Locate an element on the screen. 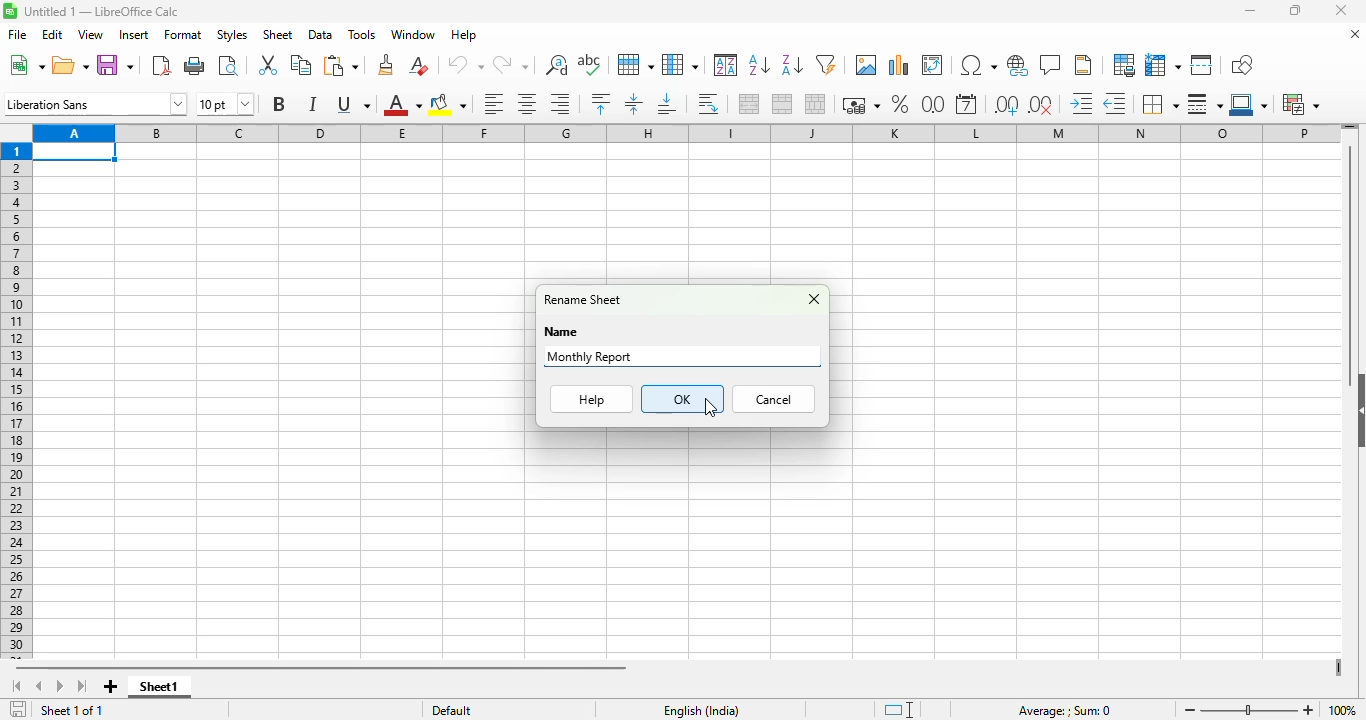 The width and height of the screenshot is (1366, 720). border color is located at coordinates (1250, 104).